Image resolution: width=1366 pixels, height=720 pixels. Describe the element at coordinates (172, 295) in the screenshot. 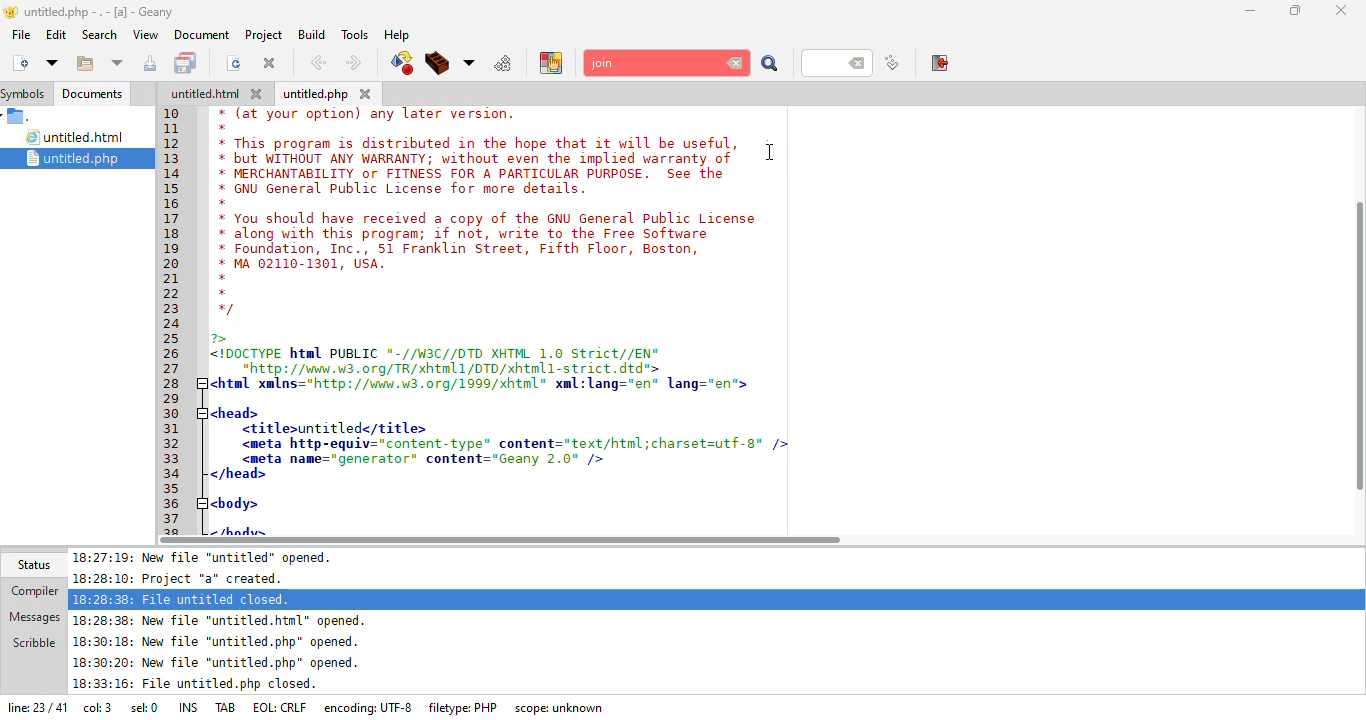

I see `22` at that location.